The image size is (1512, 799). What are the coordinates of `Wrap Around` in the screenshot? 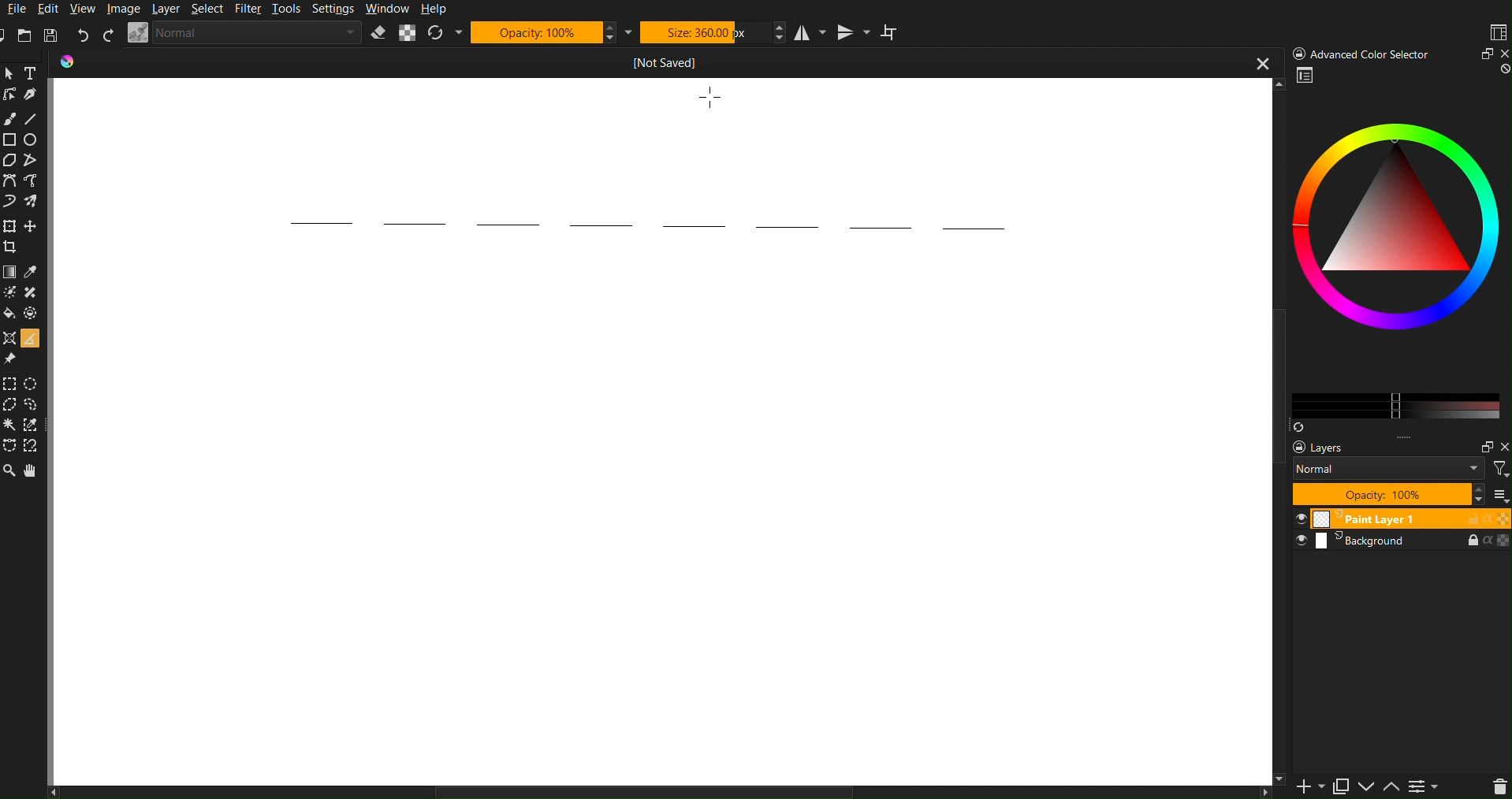 It's located at (892, 32).